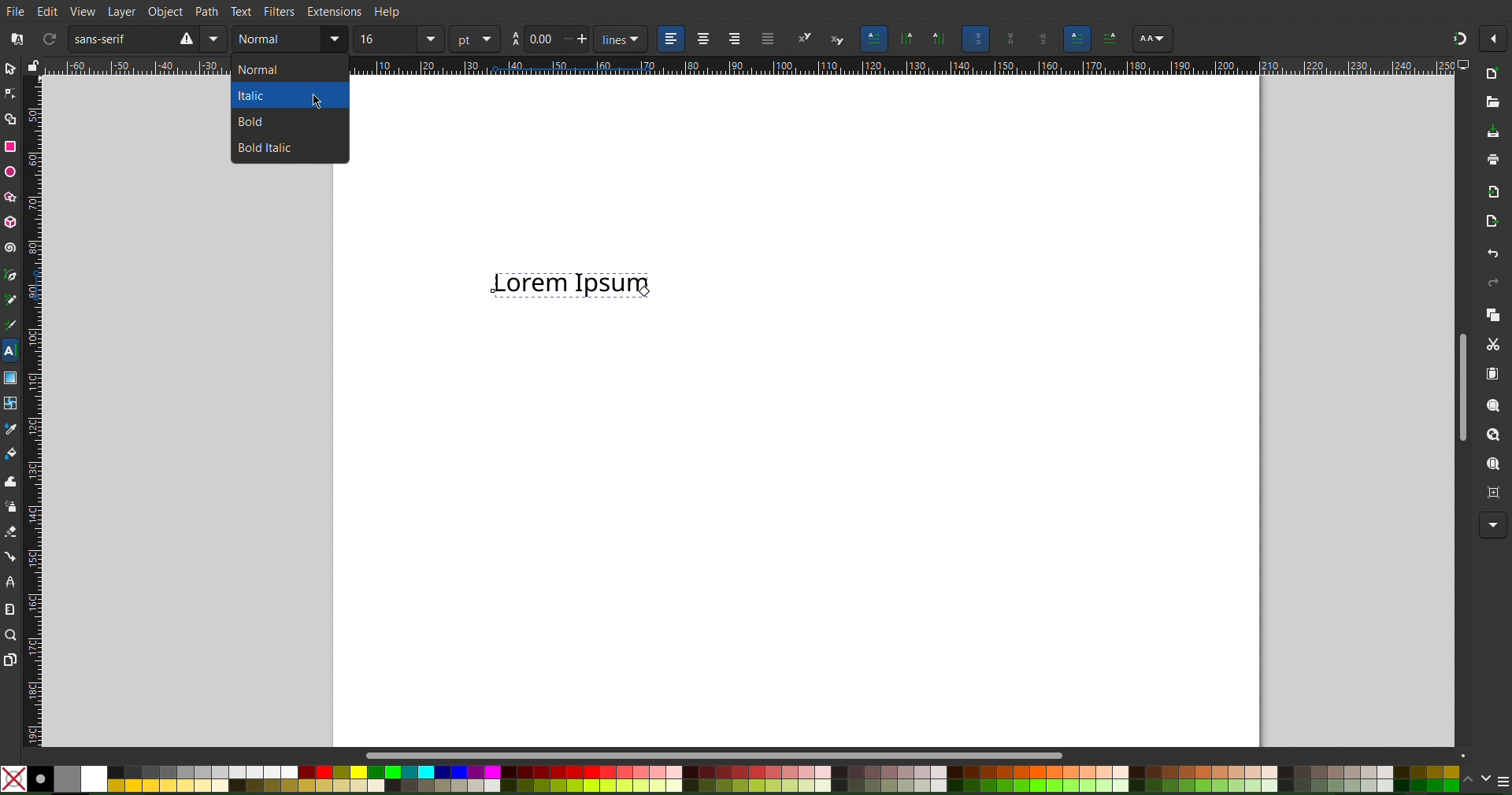 The height and width of the screenshot is (795, 1512). What do you see at coordinates (11, 275) in the screenshot?
I see `Pen Tool` at bounding box center [11, 275].